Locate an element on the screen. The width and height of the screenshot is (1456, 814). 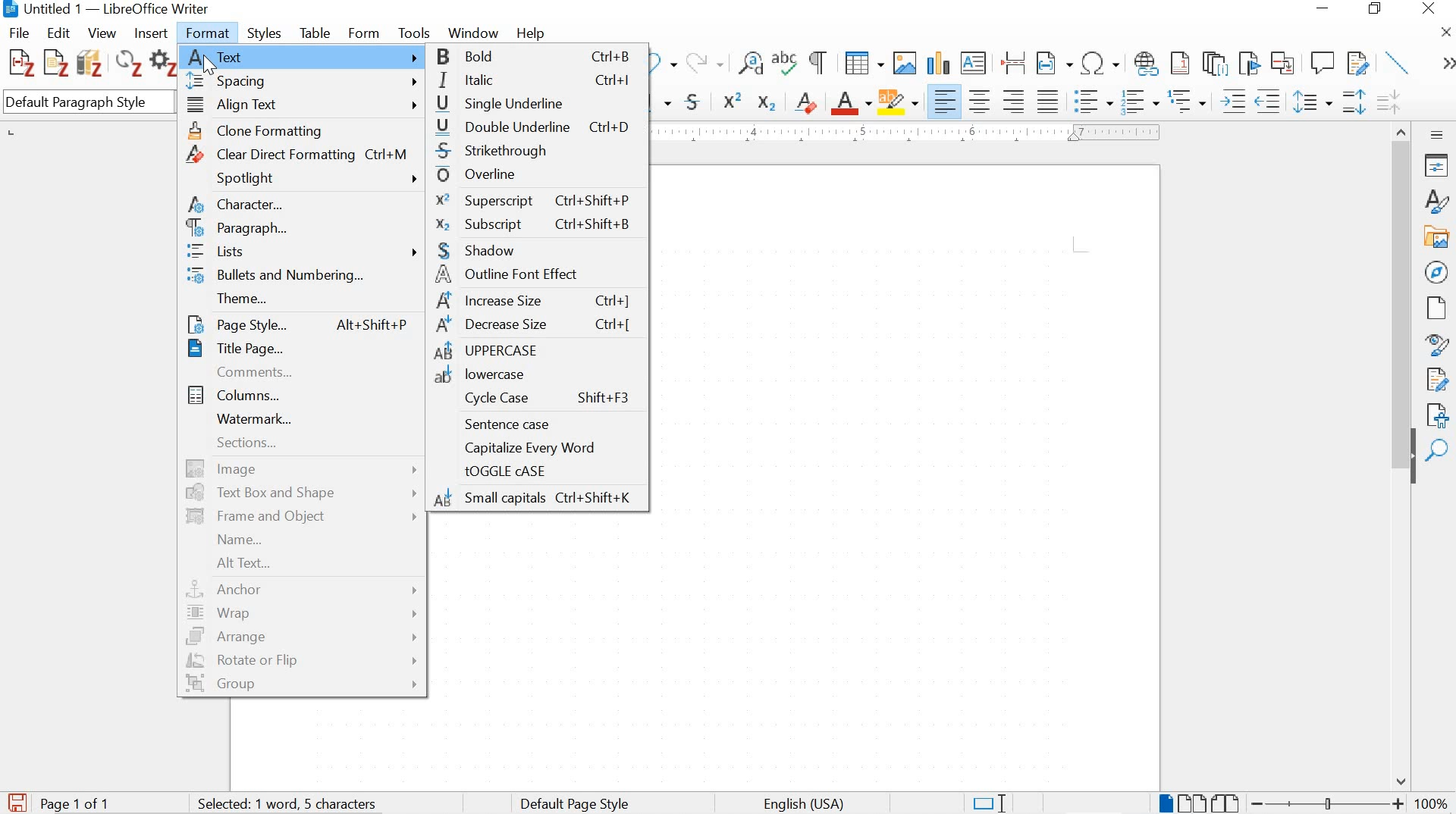
find and replace is located at coordinates (751, 64).